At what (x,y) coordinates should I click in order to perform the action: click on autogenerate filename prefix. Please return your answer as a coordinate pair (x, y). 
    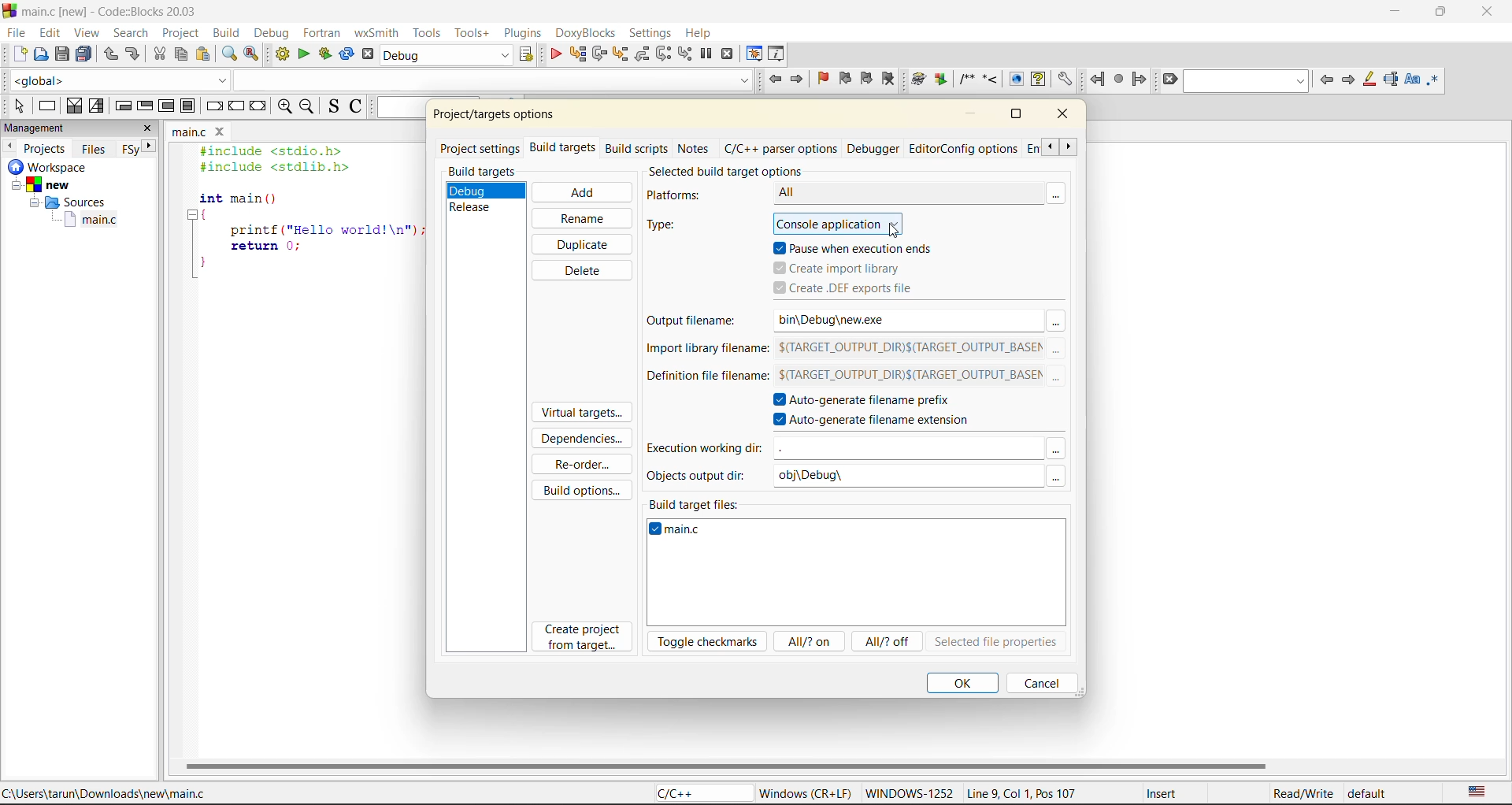
    Looking at the image, I should click on (864, 399).